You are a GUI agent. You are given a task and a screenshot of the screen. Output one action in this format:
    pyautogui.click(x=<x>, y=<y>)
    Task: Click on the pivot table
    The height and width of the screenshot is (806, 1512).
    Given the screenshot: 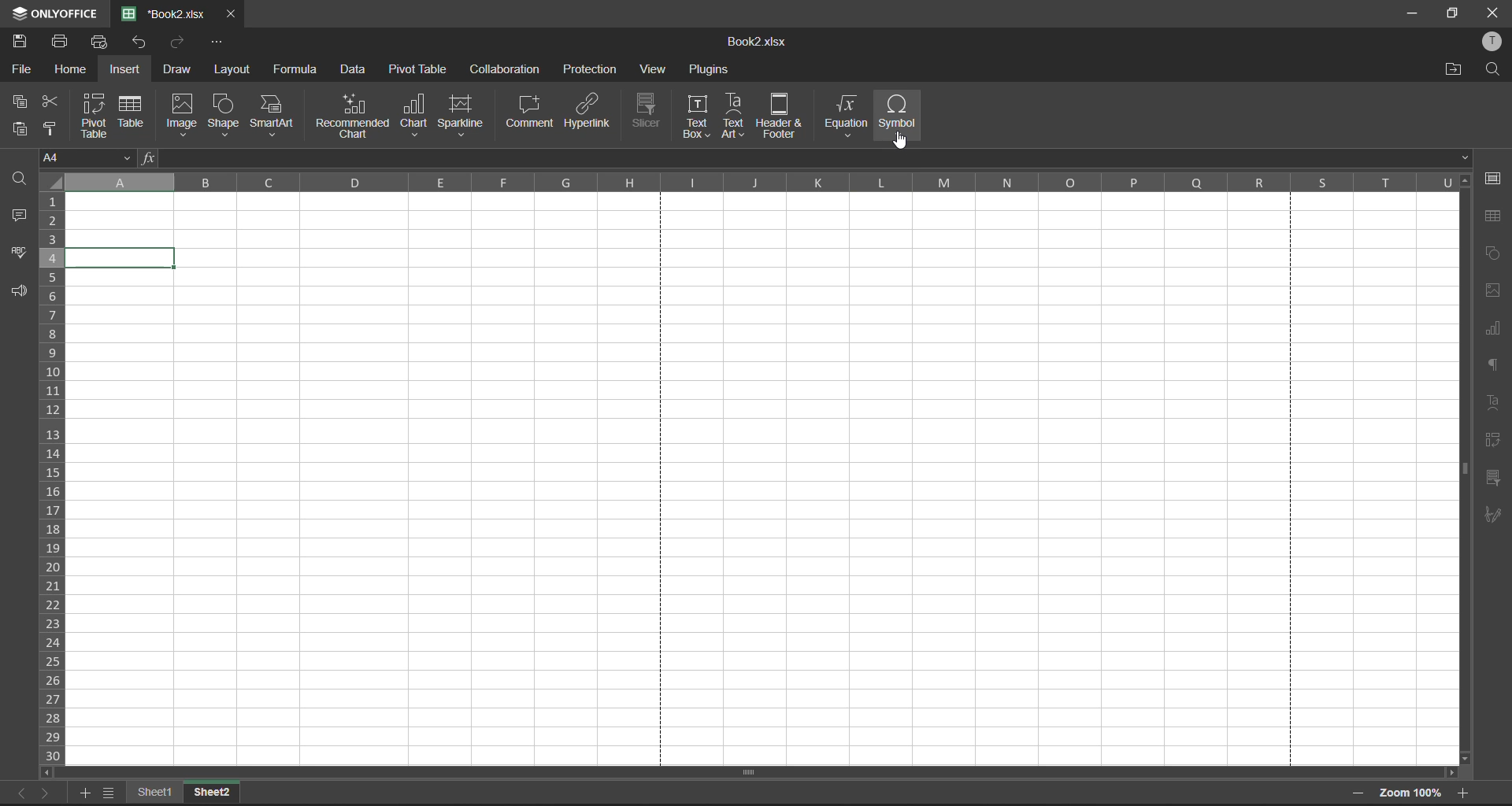 What is the action you would take?
    pyautogui.click(x=94, y=114)
    